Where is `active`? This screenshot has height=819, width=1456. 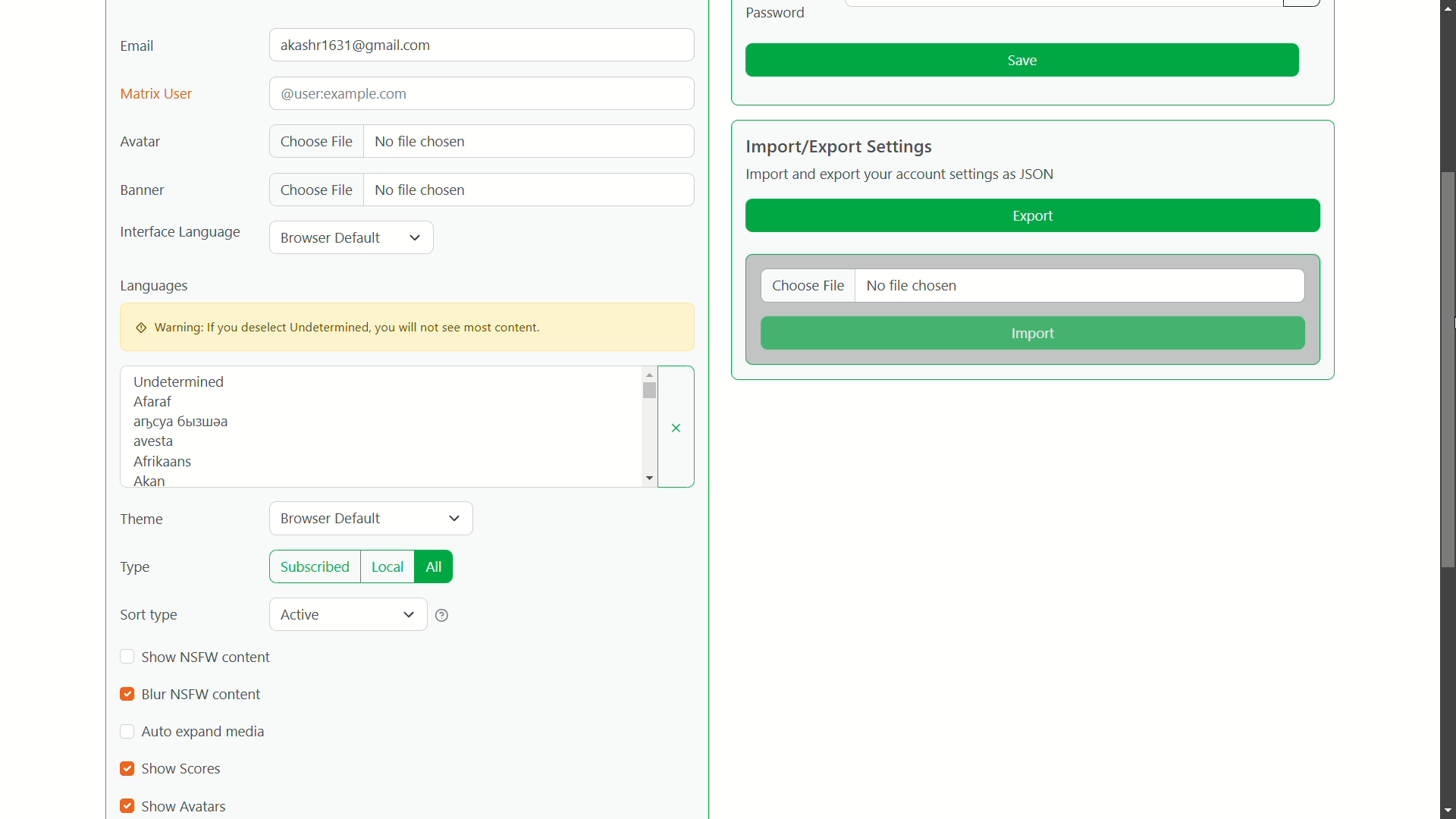
active is located at coordinates (303, 613).